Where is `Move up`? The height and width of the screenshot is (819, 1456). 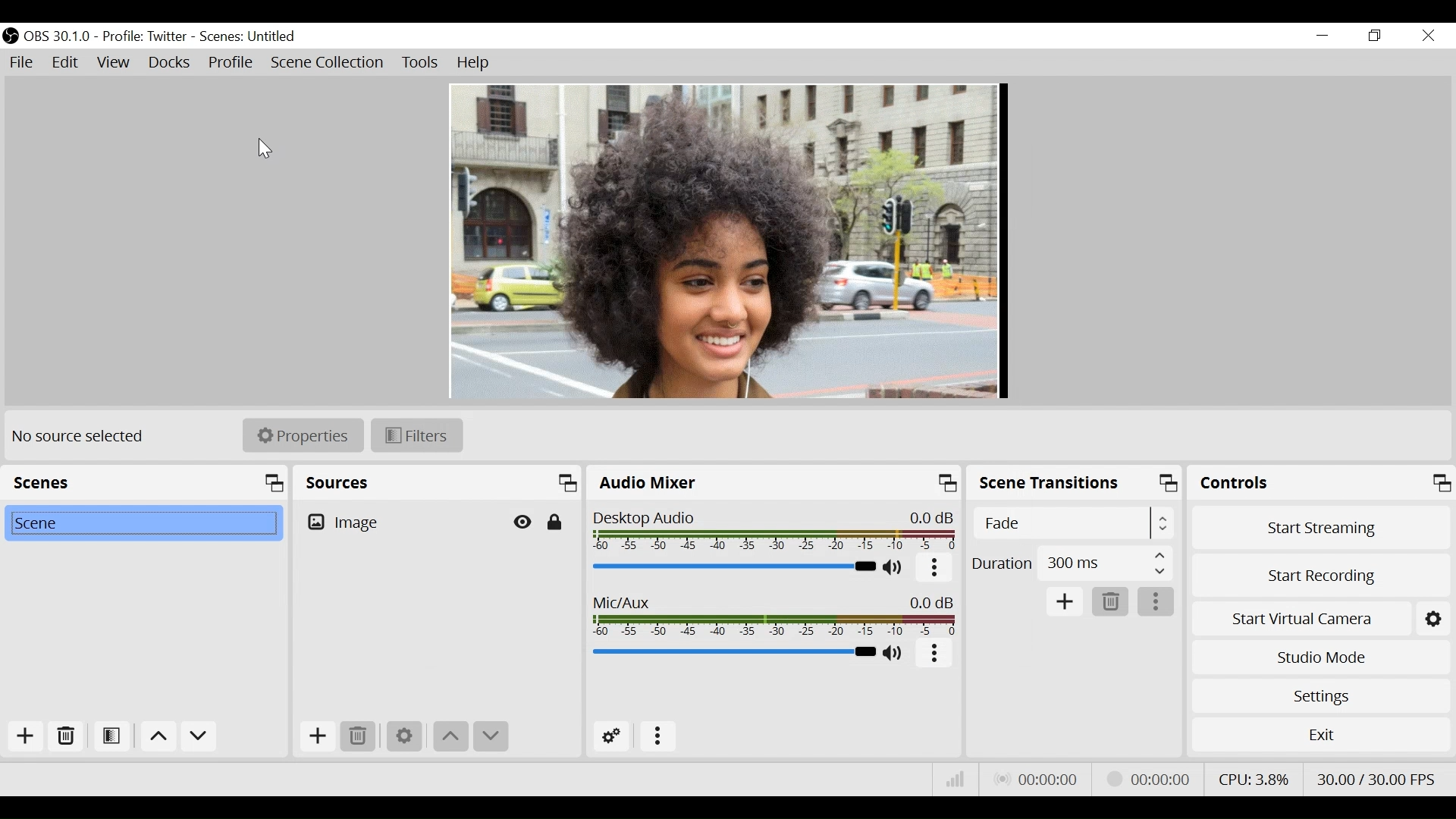 Move up is located at coordinates (450, 736).